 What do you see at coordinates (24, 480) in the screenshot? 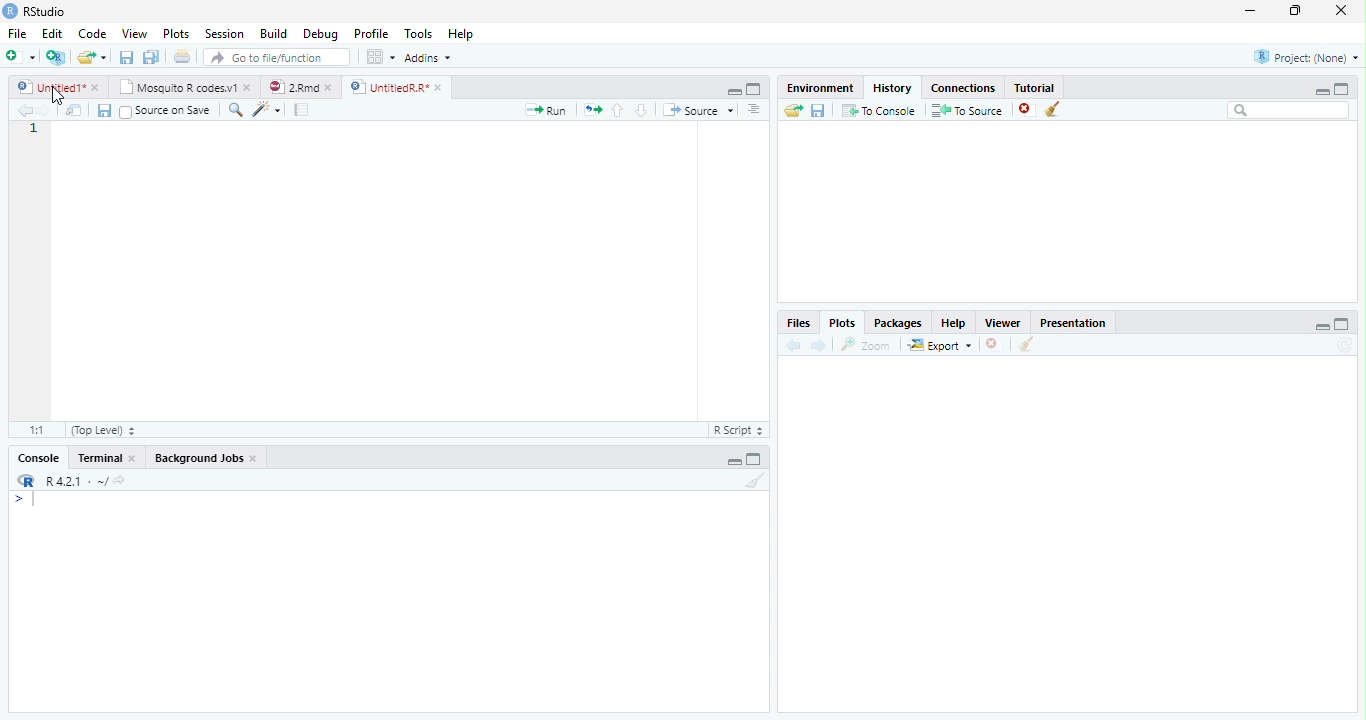
I see `R` at bounding box center [24, 480].